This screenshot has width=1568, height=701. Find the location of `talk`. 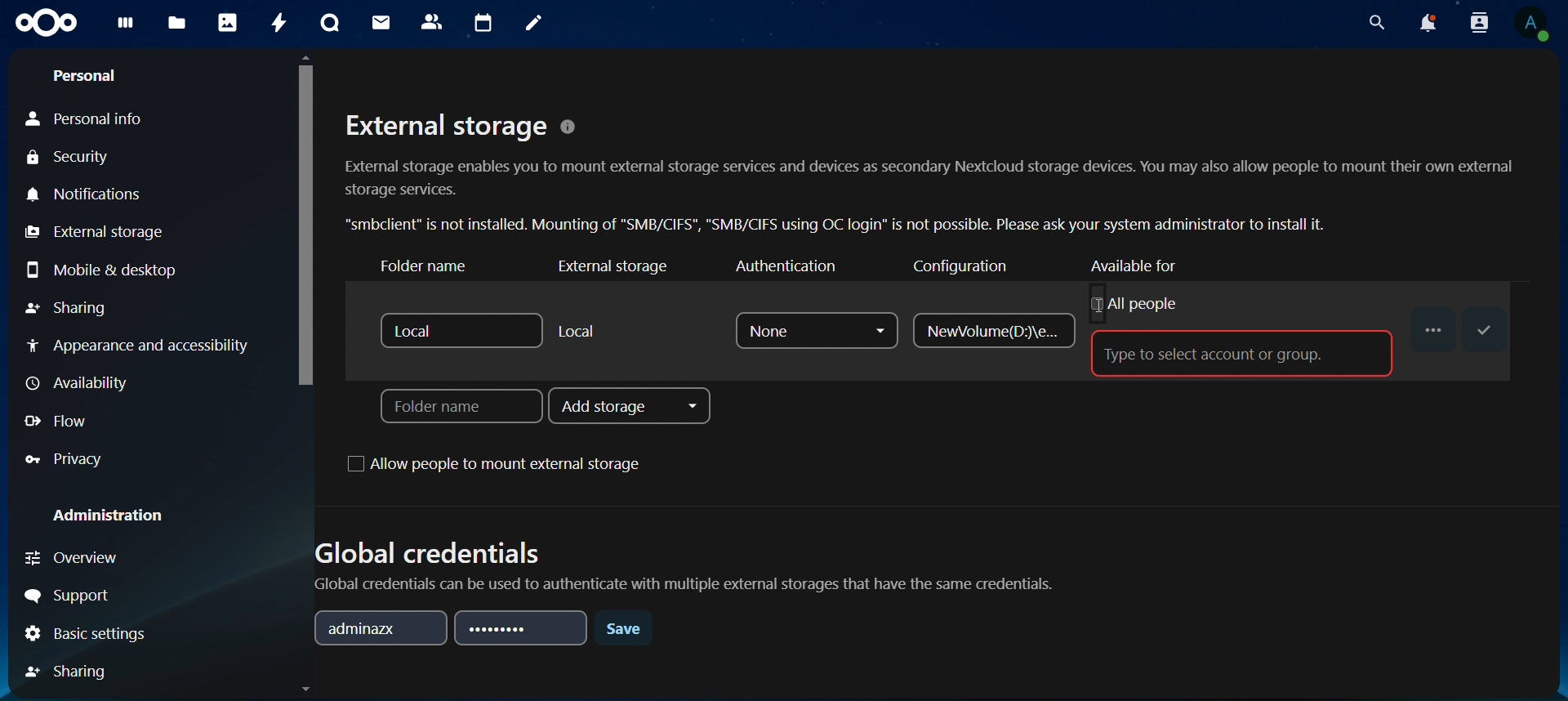

talk is located at coordinates (332, 23).